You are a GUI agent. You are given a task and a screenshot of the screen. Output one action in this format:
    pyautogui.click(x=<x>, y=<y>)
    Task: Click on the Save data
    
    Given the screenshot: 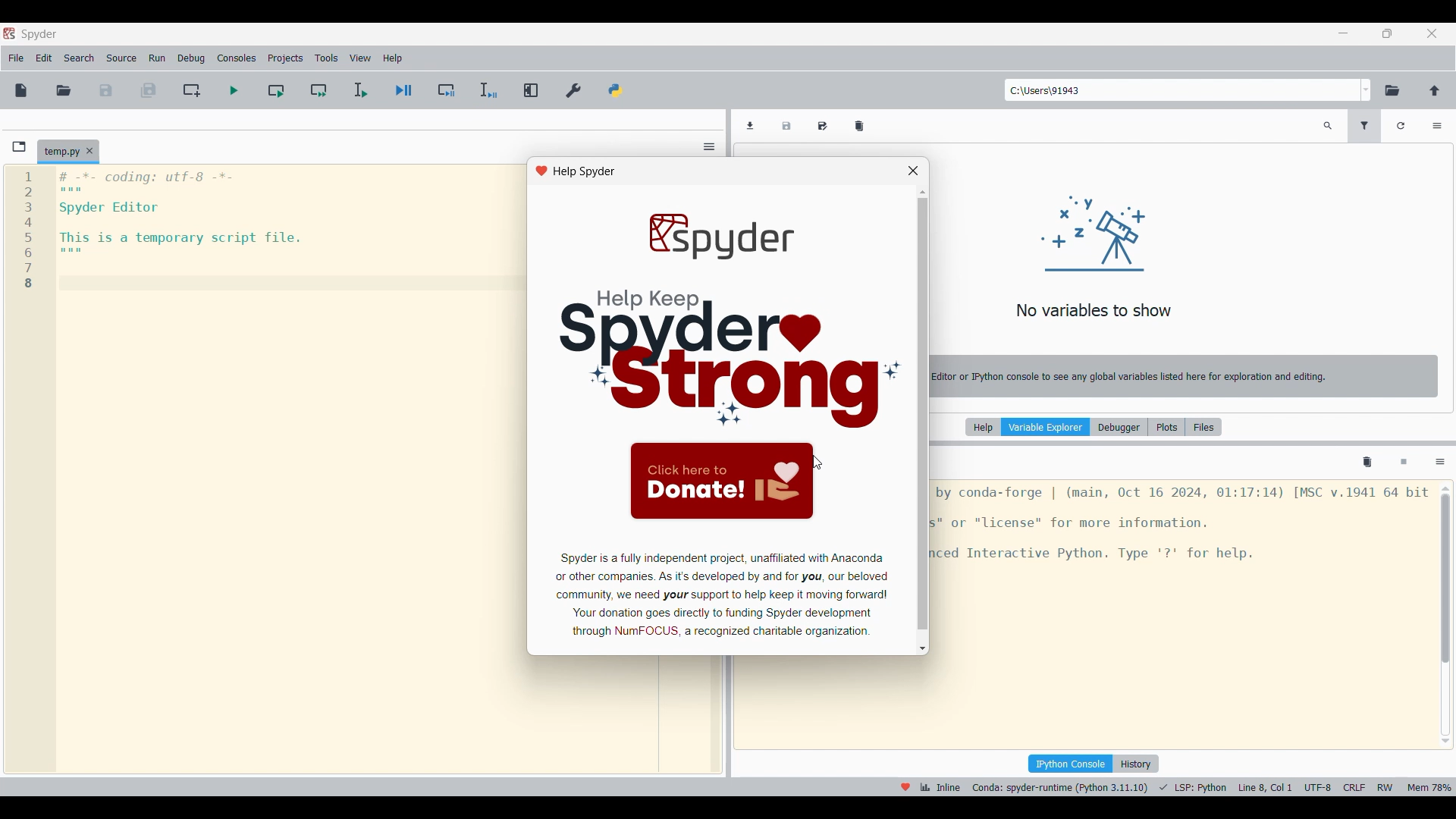 What is the action you would take?
    pyautogui.click(x=786, y=126)
    